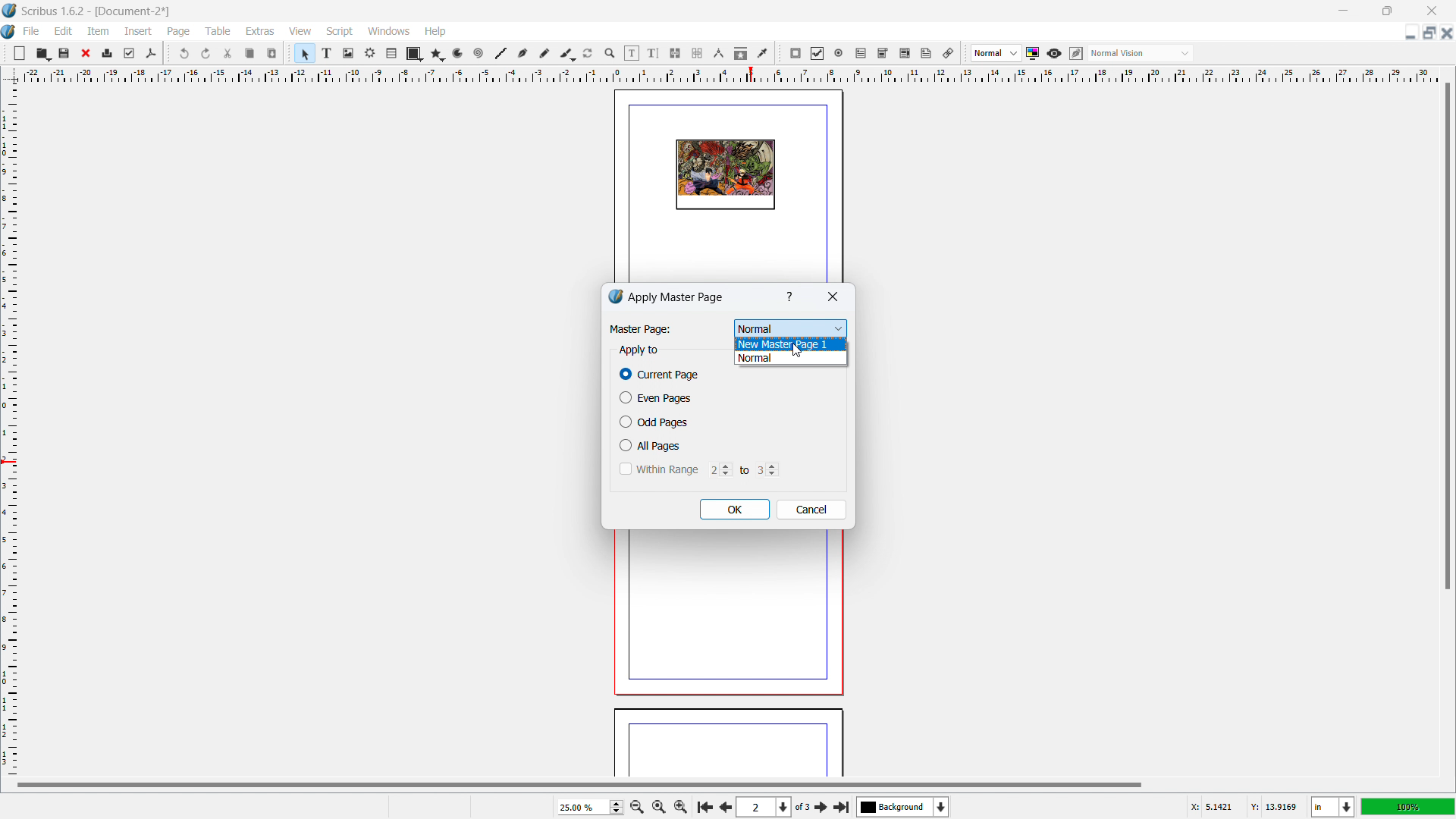 The width and height of the screenshot is (1456, 819). What do you see at coordinates (654, 422) in the screenshot?
I see `odd pages checkbox` at bounding box center [654, 422].